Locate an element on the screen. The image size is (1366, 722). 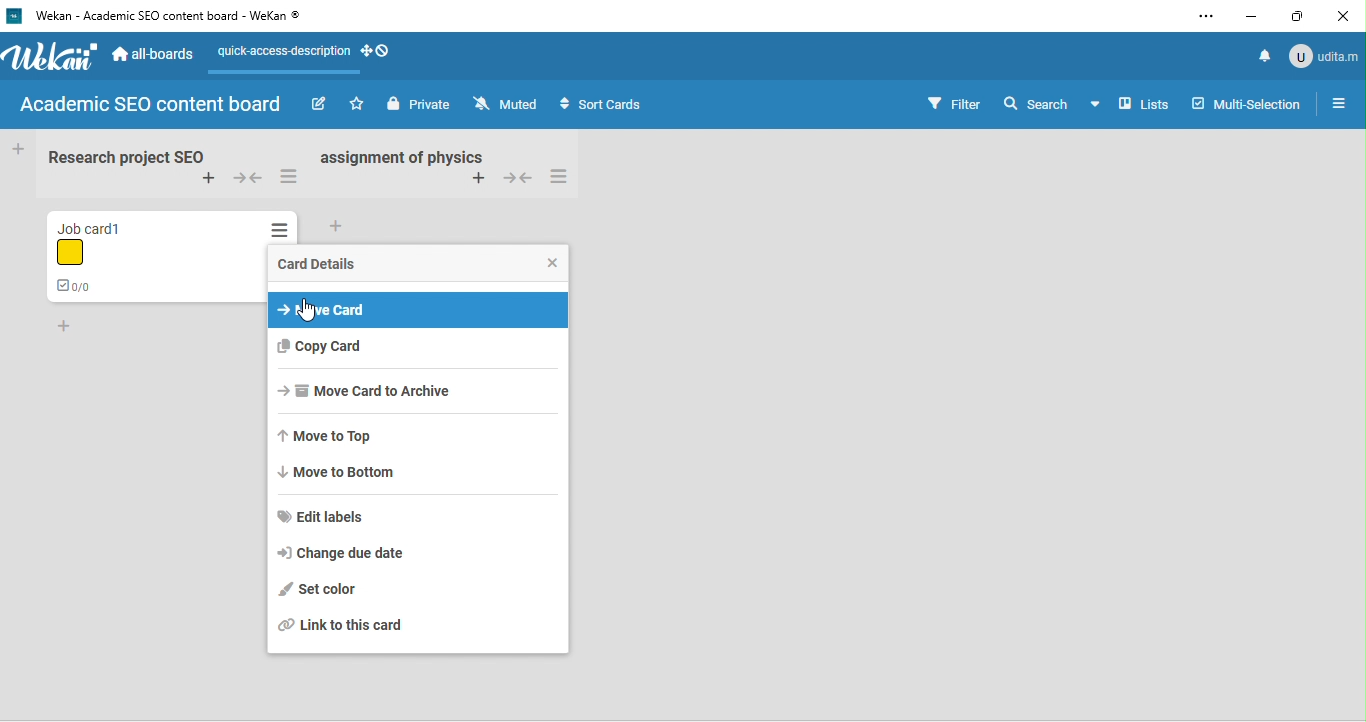
cursor movement is located at coordinates (306, 309).